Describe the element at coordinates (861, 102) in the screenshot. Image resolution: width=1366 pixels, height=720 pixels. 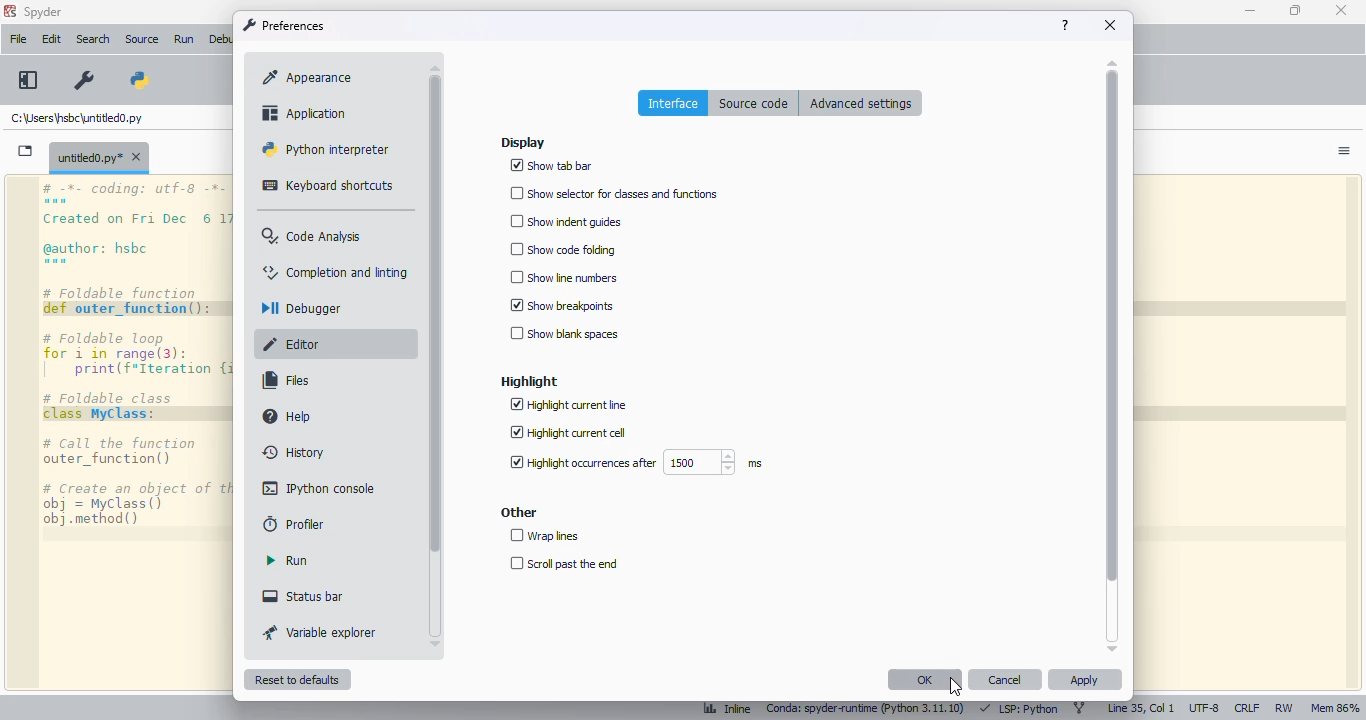
I see `advanced settings` at that location.